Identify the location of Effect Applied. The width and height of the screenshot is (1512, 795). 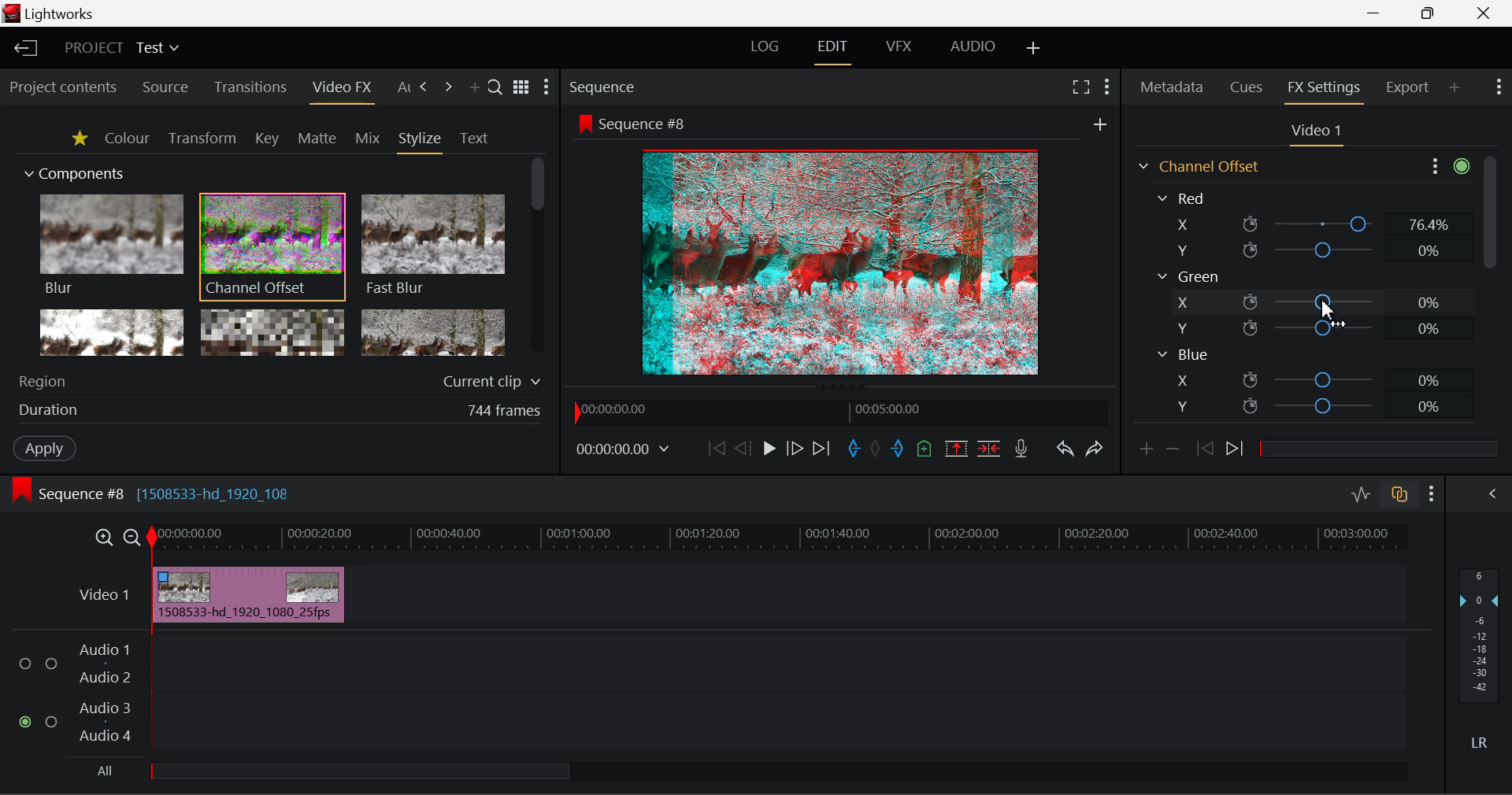
(250, 592).